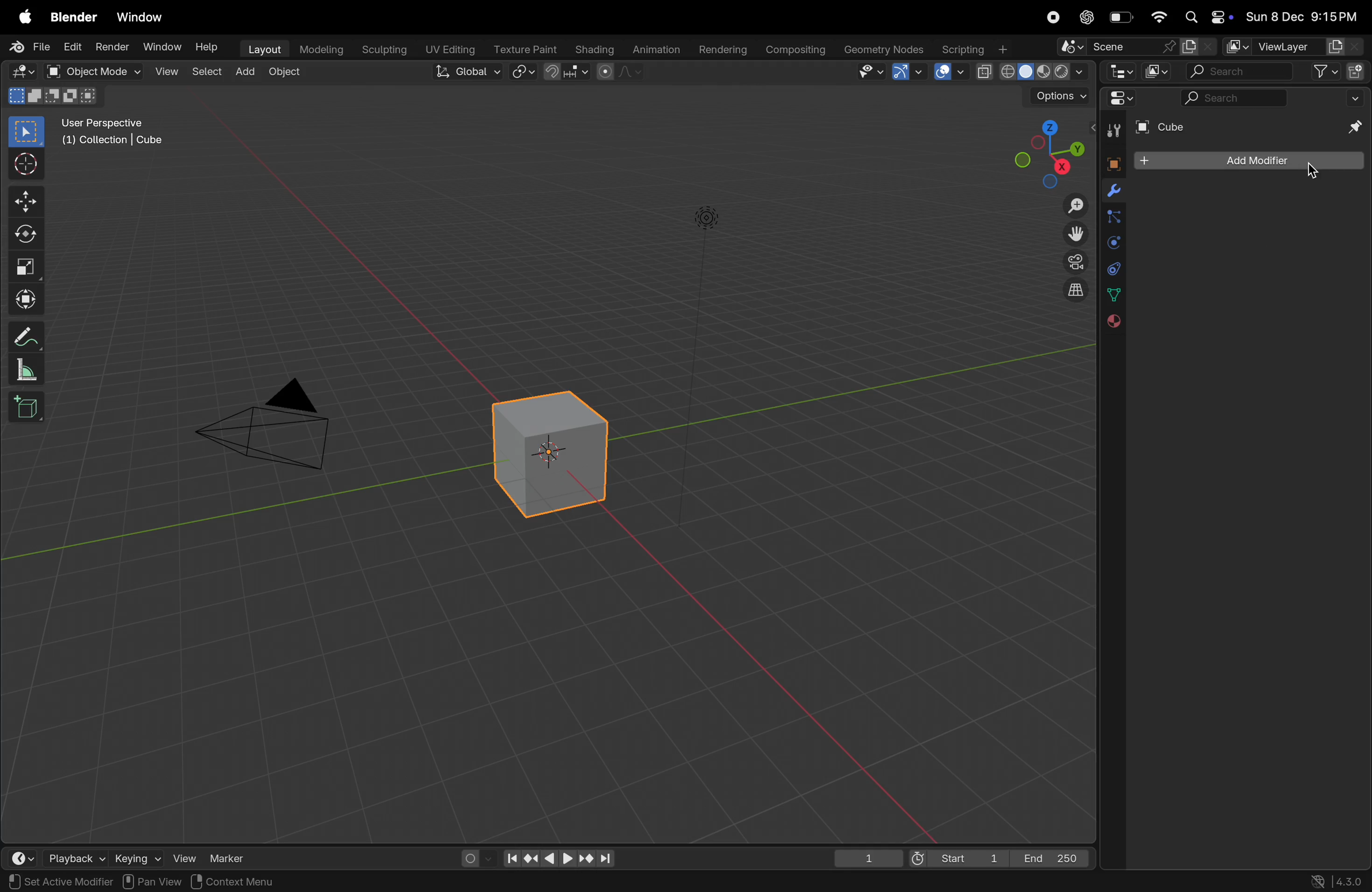  What do you see at coordinates (1113, 243) in the screenshot?
I see `physics` at bounding box center [1113, 243].